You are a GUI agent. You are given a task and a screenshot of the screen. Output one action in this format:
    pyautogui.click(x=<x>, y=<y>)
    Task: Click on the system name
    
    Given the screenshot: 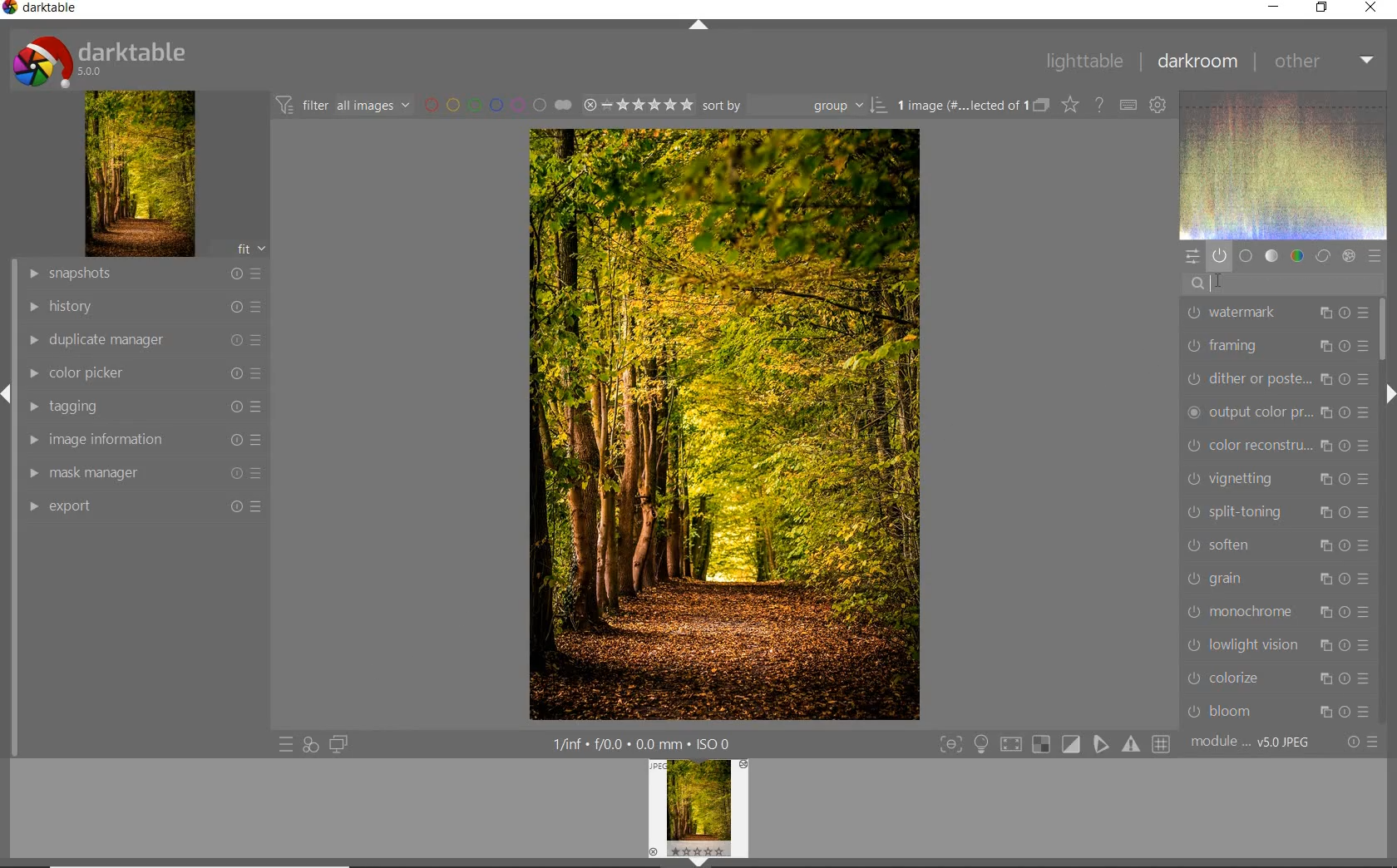 What is the action you would take?
    pyautogui.click(x=40, y=8)
    